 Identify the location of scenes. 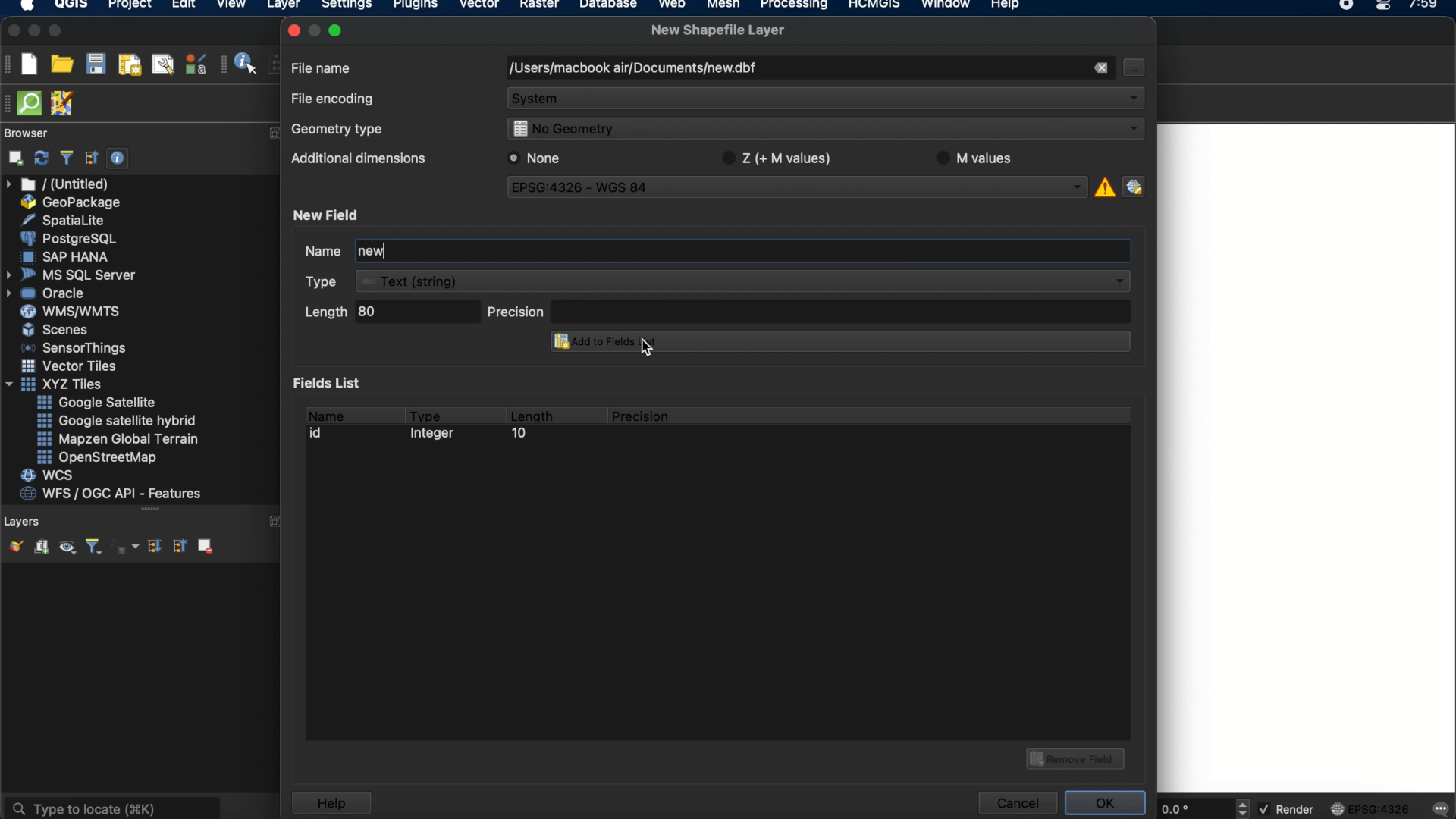
(56, 329).